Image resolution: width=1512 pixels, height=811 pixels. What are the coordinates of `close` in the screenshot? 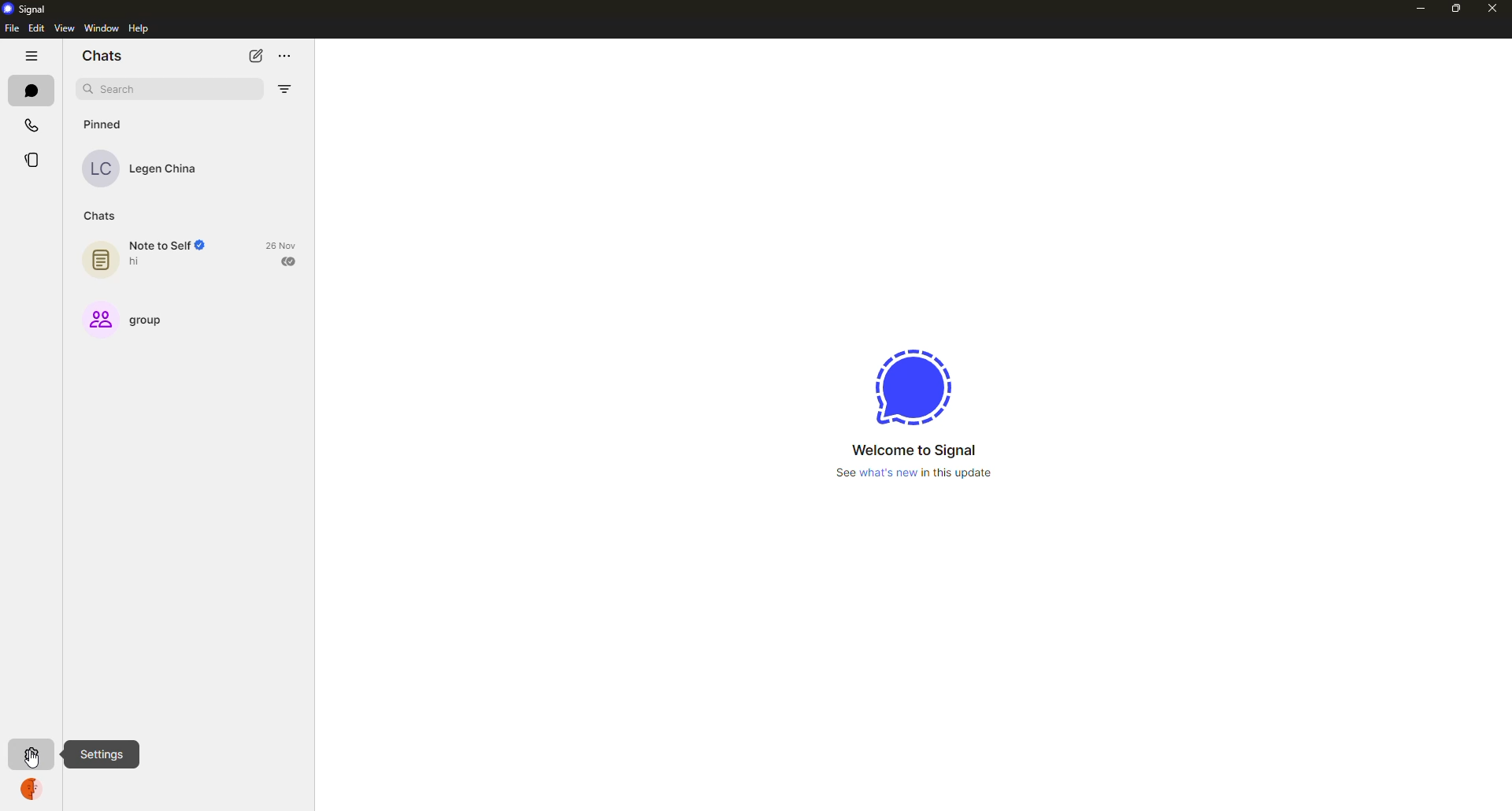 It's located at (1491, 8).